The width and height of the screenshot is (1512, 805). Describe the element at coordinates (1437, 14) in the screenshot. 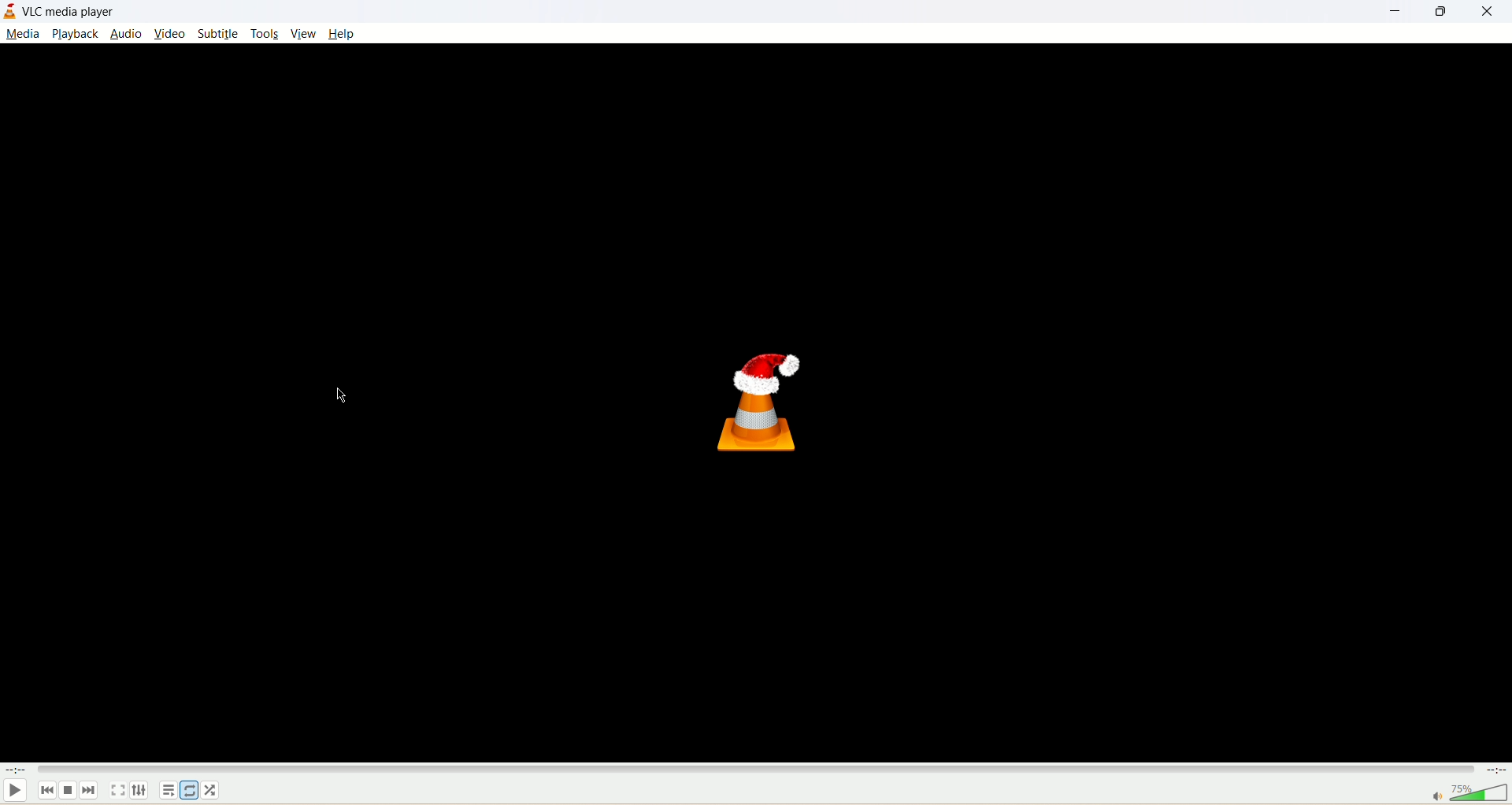

I see `maximize` at that location.